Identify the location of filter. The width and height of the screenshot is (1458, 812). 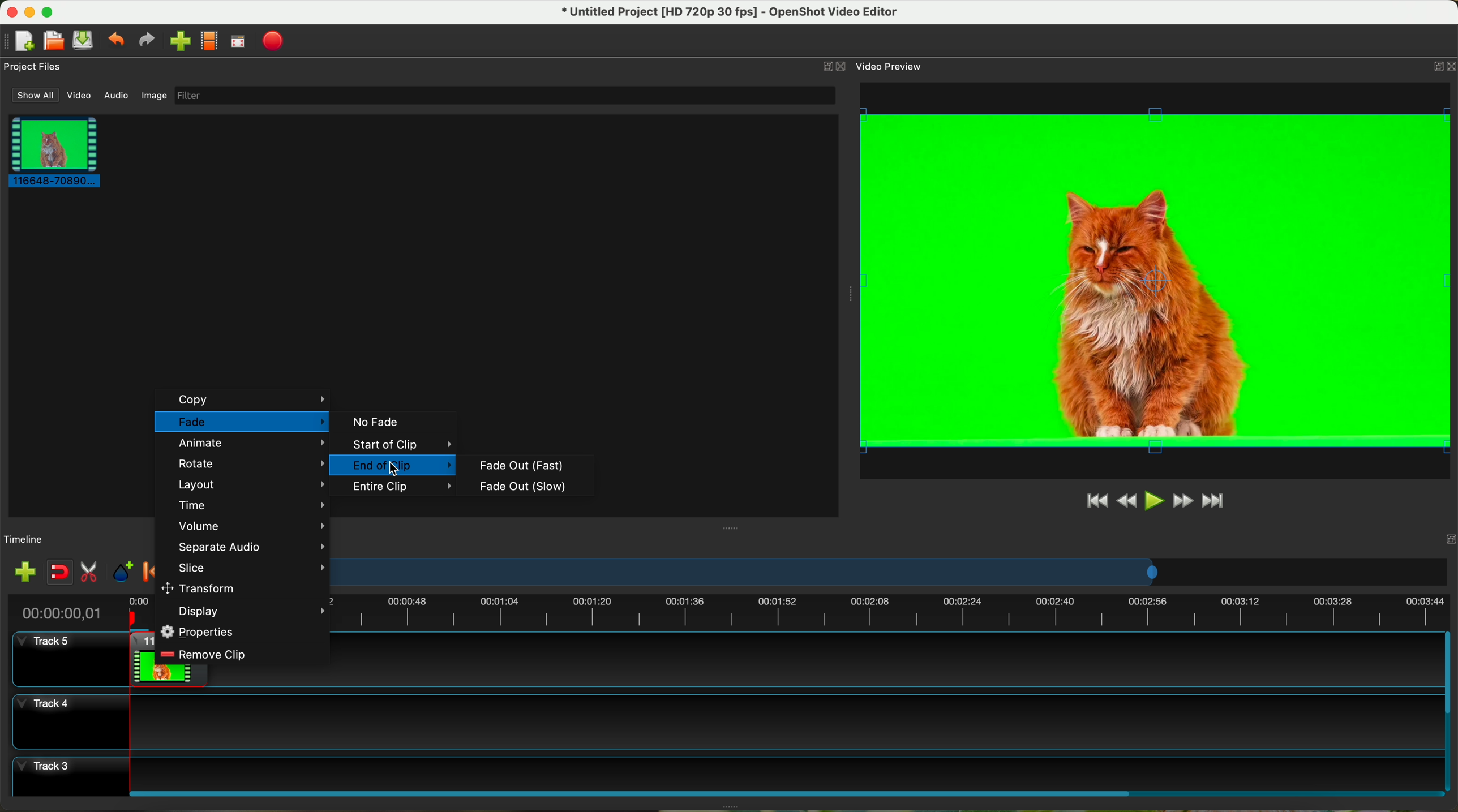
(504, 95).